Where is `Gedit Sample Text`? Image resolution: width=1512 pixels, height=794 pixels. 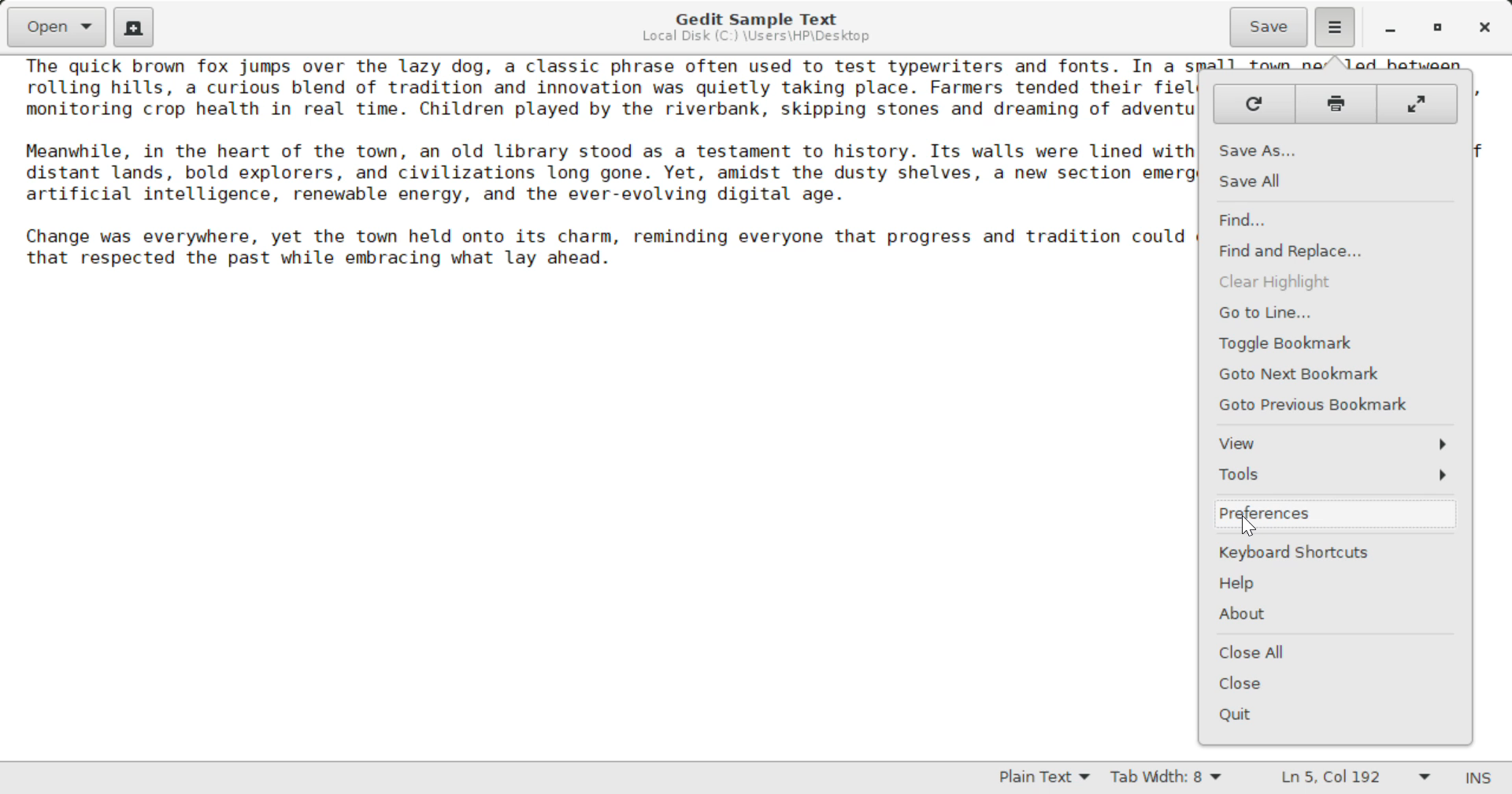 Gedit Sample Text is located at coordinates (752, 17).